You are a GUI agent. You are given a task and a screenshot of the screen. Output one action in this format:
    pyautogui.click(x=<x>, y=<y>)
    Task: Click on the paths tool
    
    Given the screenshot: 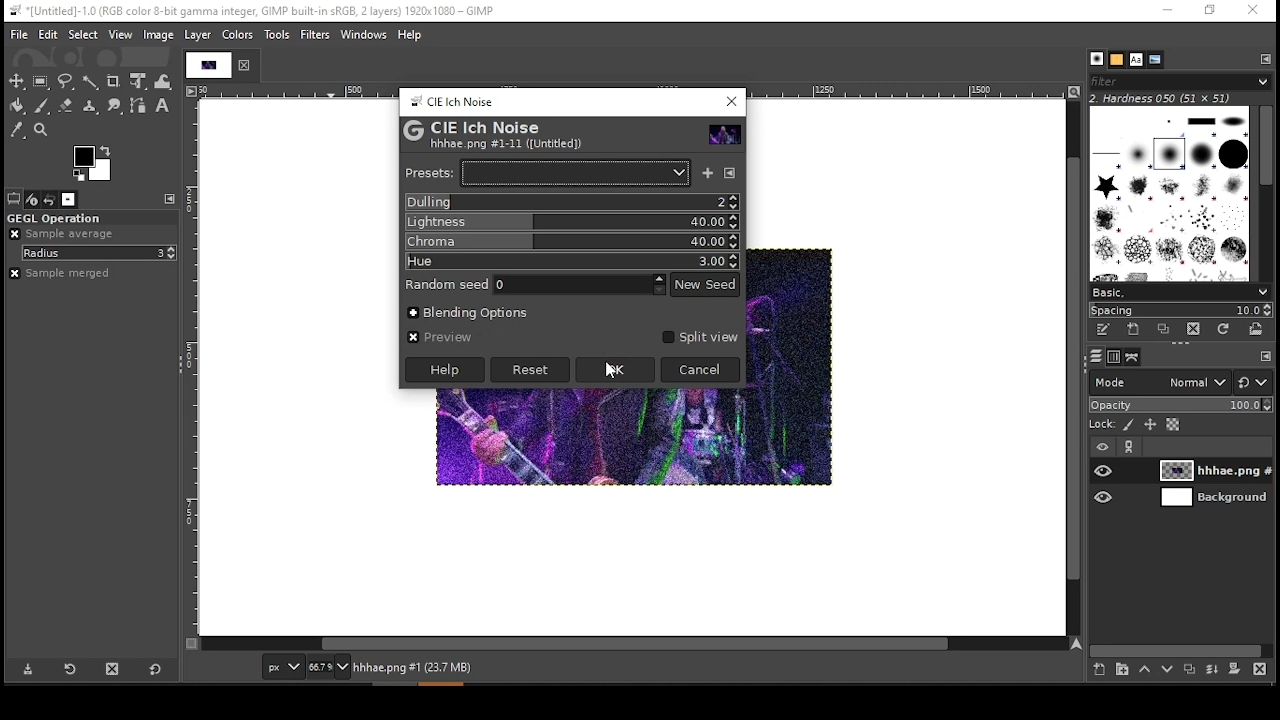 What is the action you would take?
    pyautogui.click(x=140, y=107)
    